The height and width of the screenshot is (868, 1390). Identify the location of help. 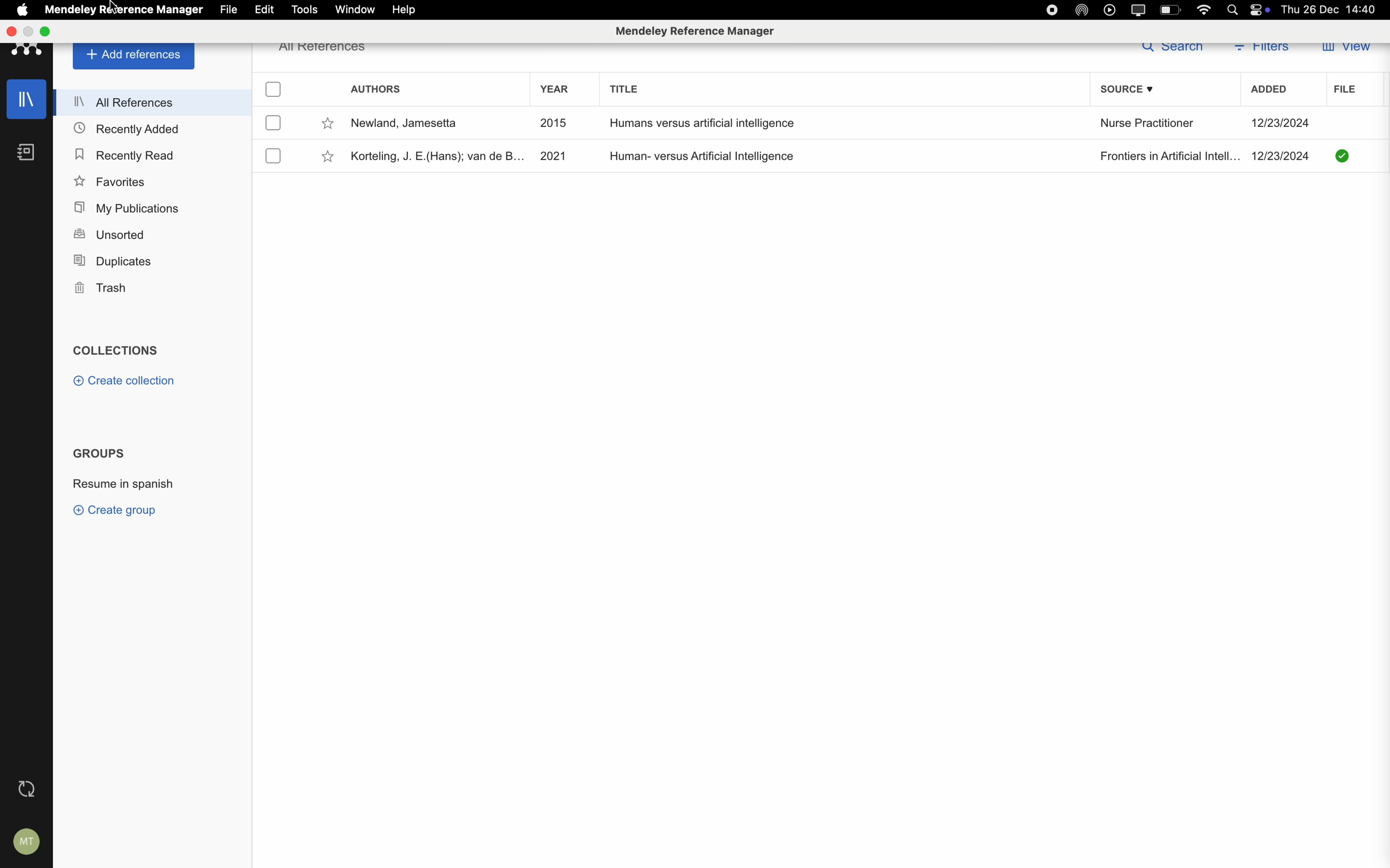
(406, 9).